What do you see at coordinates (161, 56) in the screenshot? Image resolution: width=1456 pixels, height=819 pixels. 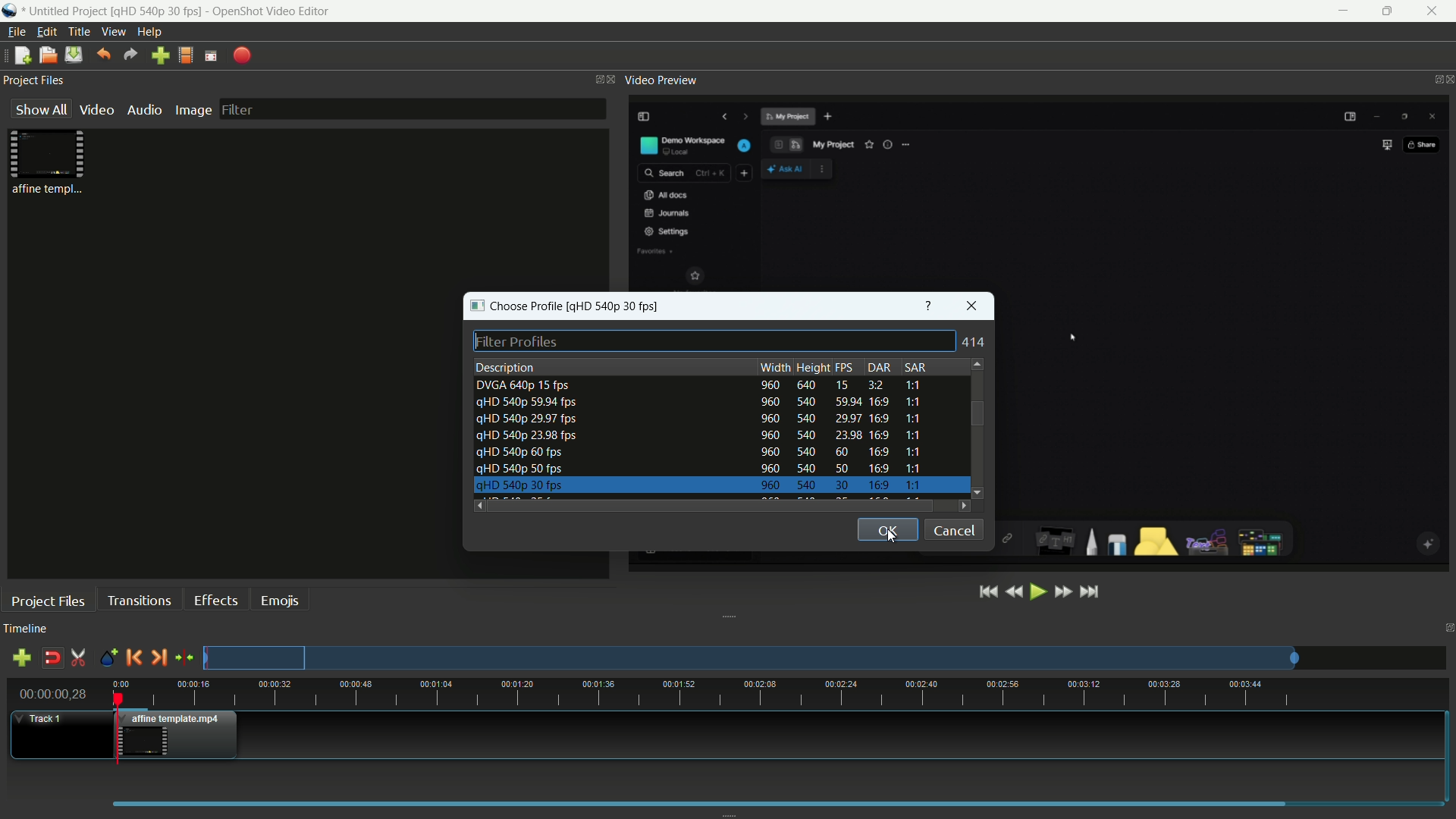 I see `import file` at bounding box center [161, 56].